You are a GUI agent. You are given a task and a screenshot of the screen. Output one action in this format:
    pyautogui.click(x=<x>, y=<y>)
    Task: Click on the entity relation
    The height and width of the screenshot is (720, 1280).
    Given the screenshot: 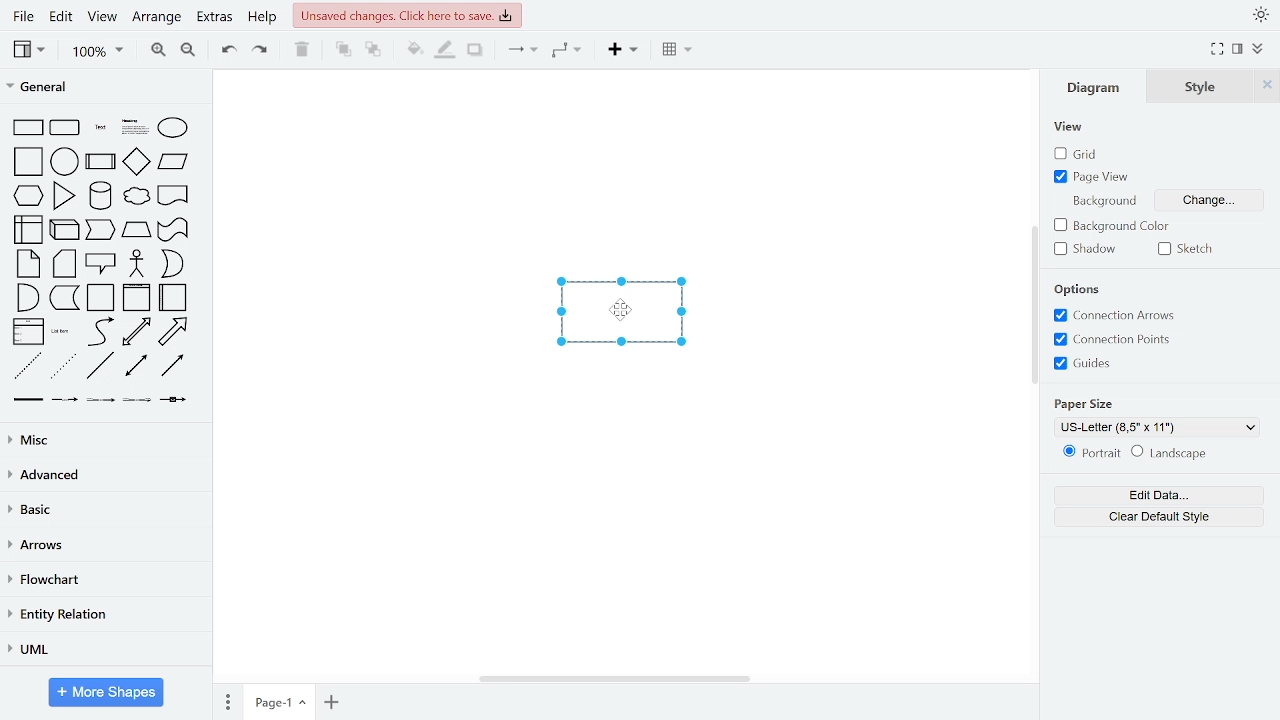 What is the action you would take?
    pyautogui.click(x=106, y=613)
    